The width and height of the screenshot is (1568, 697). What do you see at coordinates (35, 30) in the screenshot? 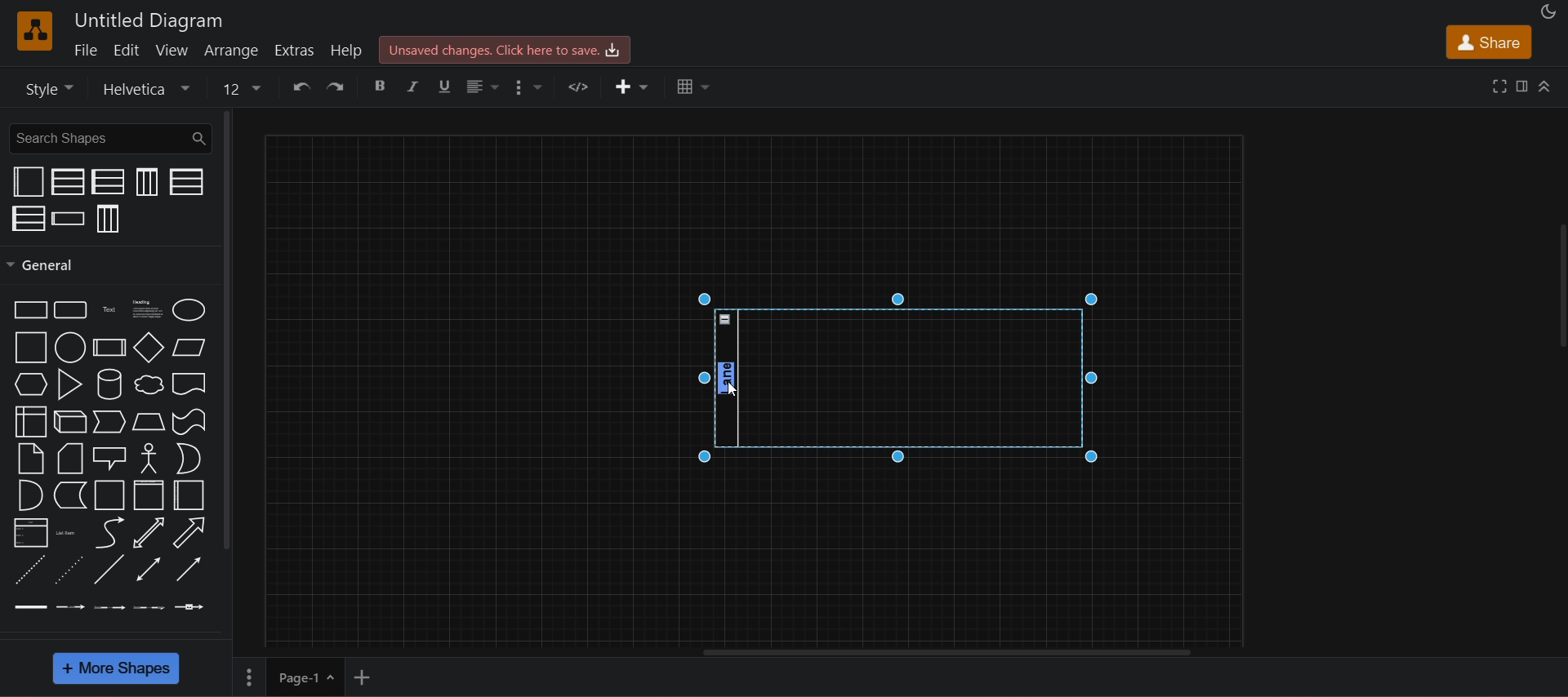
I see `logo` at bounding box center [35, 30].